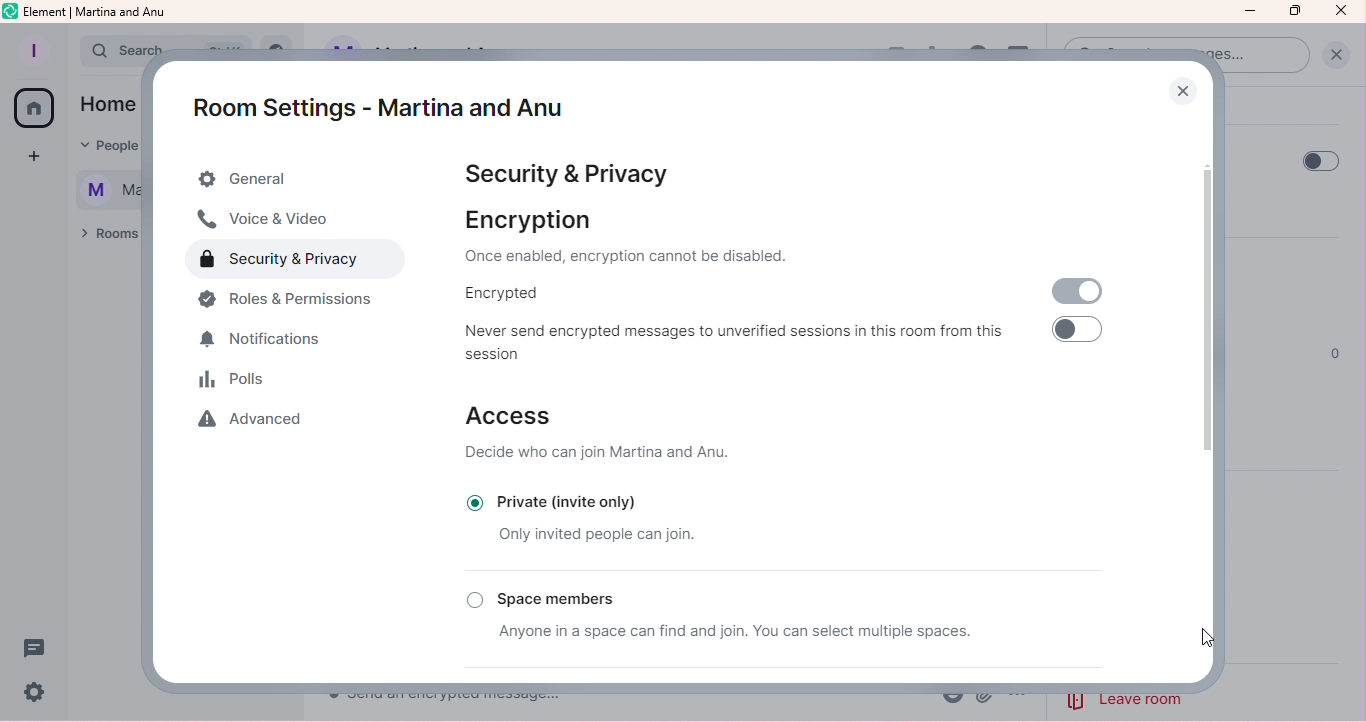  What do you see at coordinates (32, 52) in the screenshot?
I see `Profile` at bounding box center [32, 52].